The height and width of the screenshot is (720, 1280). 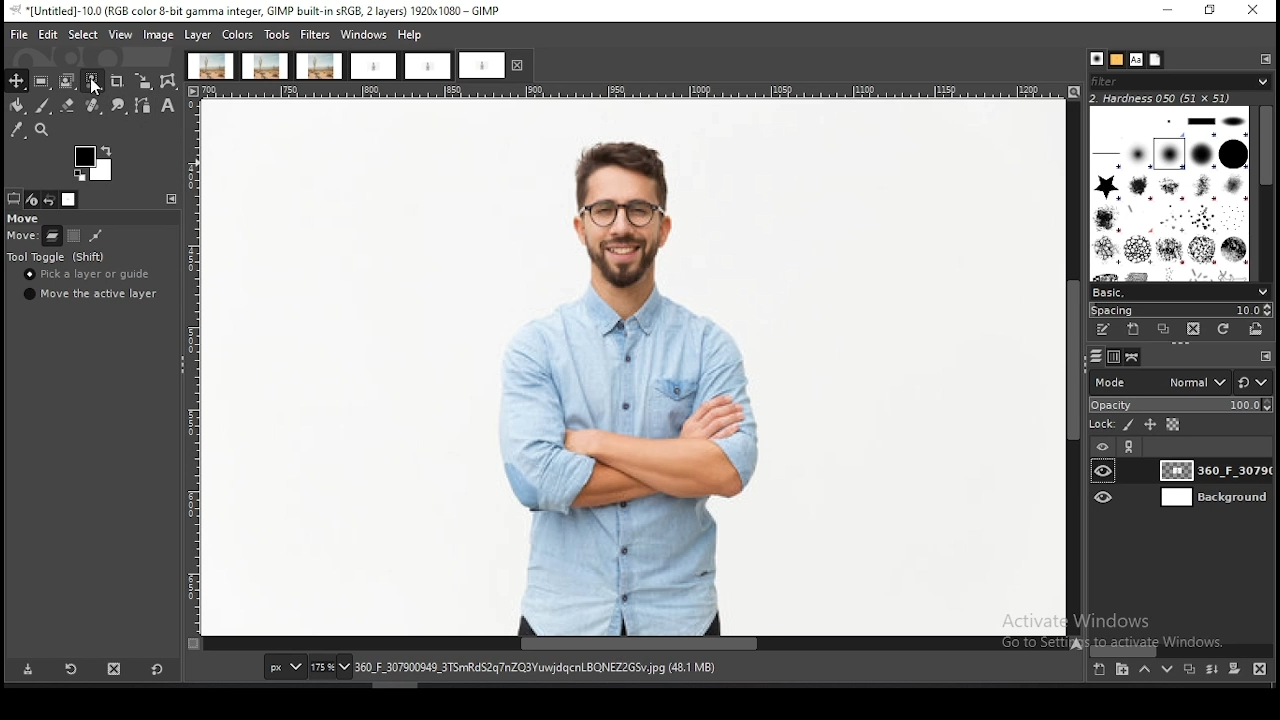 I want to click on delete brush, so click(x=1194, y=330).